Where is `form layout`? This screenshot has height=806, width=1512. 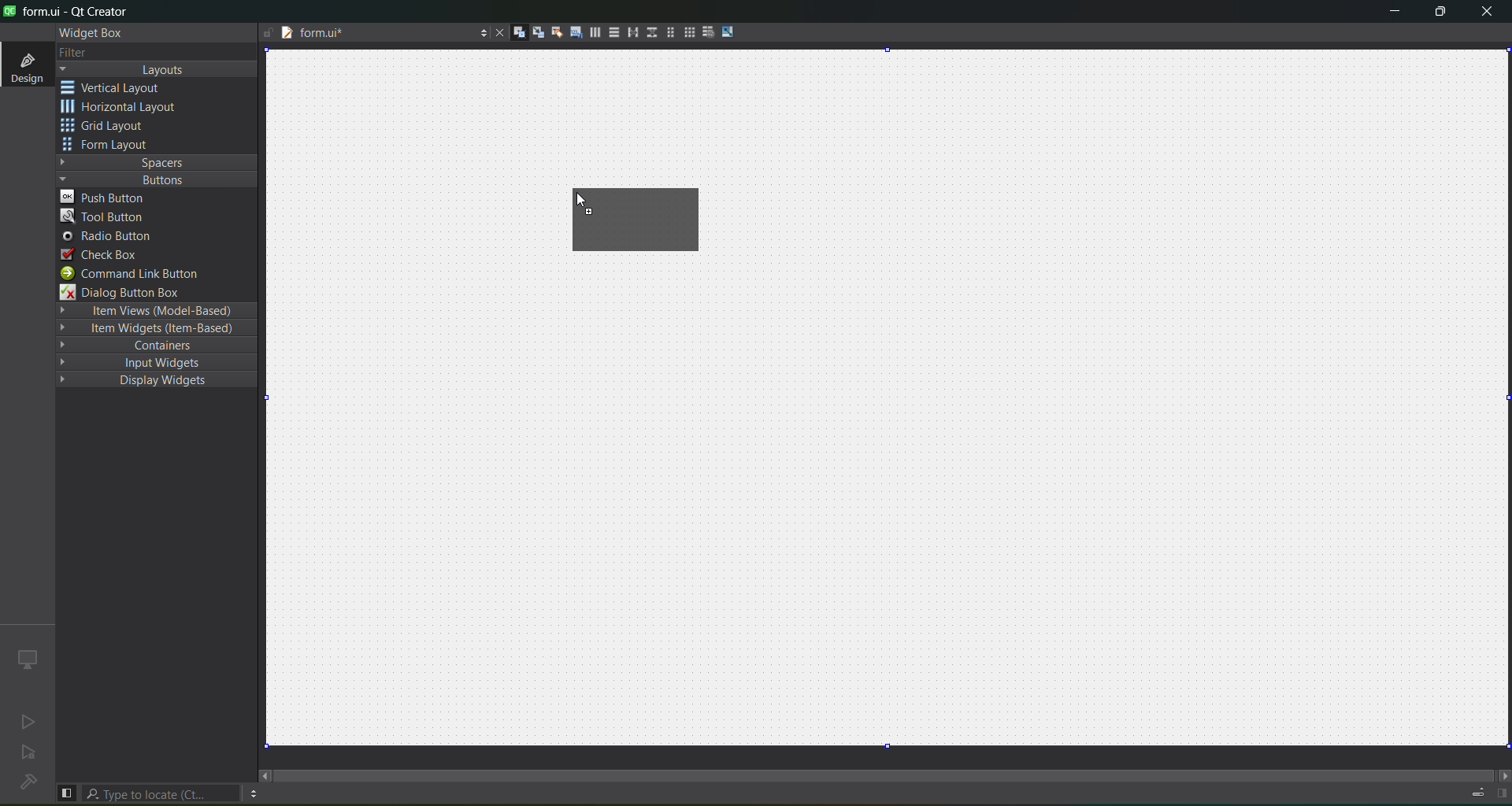
form layout is located at coordinates (108, 146).